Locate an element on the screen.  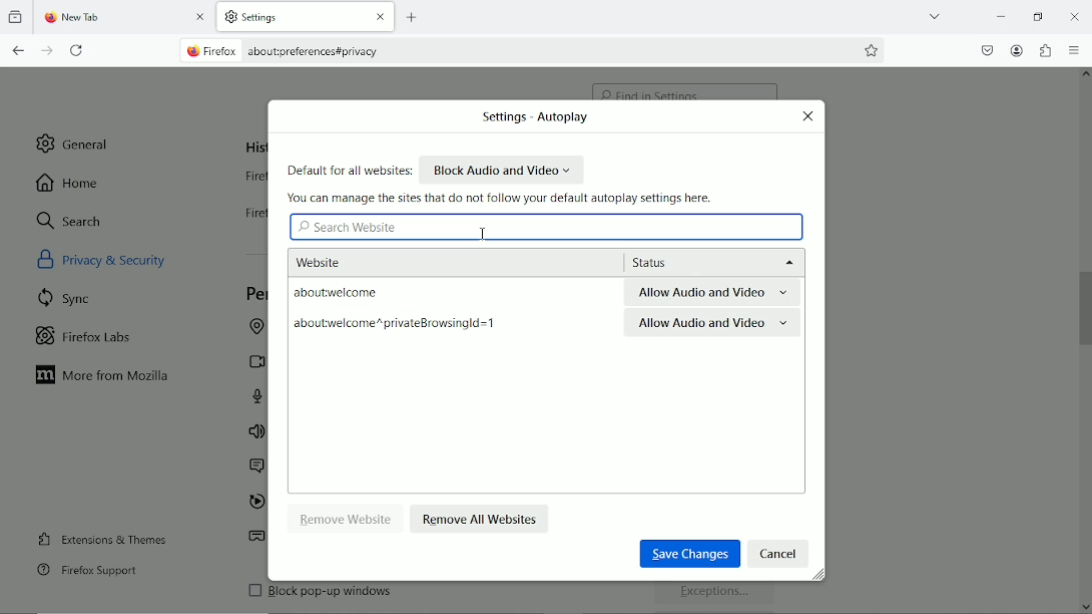
about:oreferences#privacy is located at coordinates (323, 51).